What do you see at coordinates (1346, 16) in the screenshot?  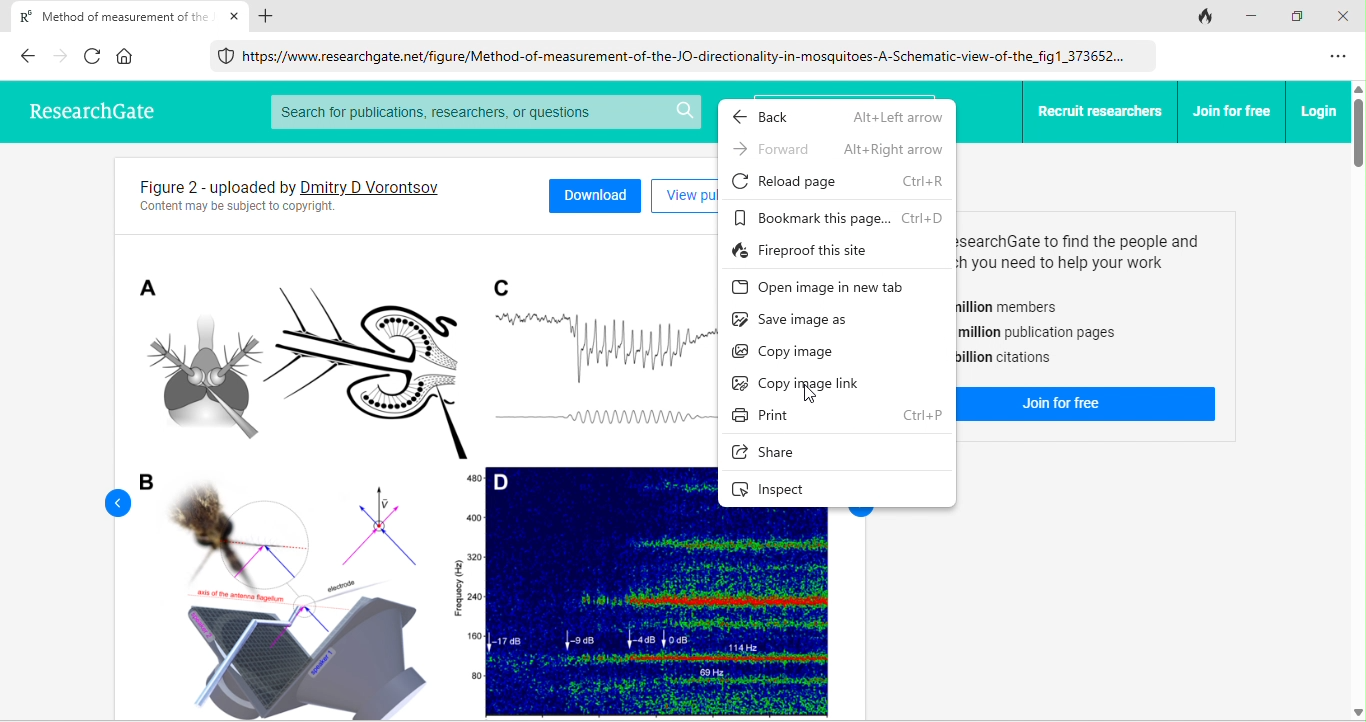 I see `close ` at bounding box center [1346, 16].